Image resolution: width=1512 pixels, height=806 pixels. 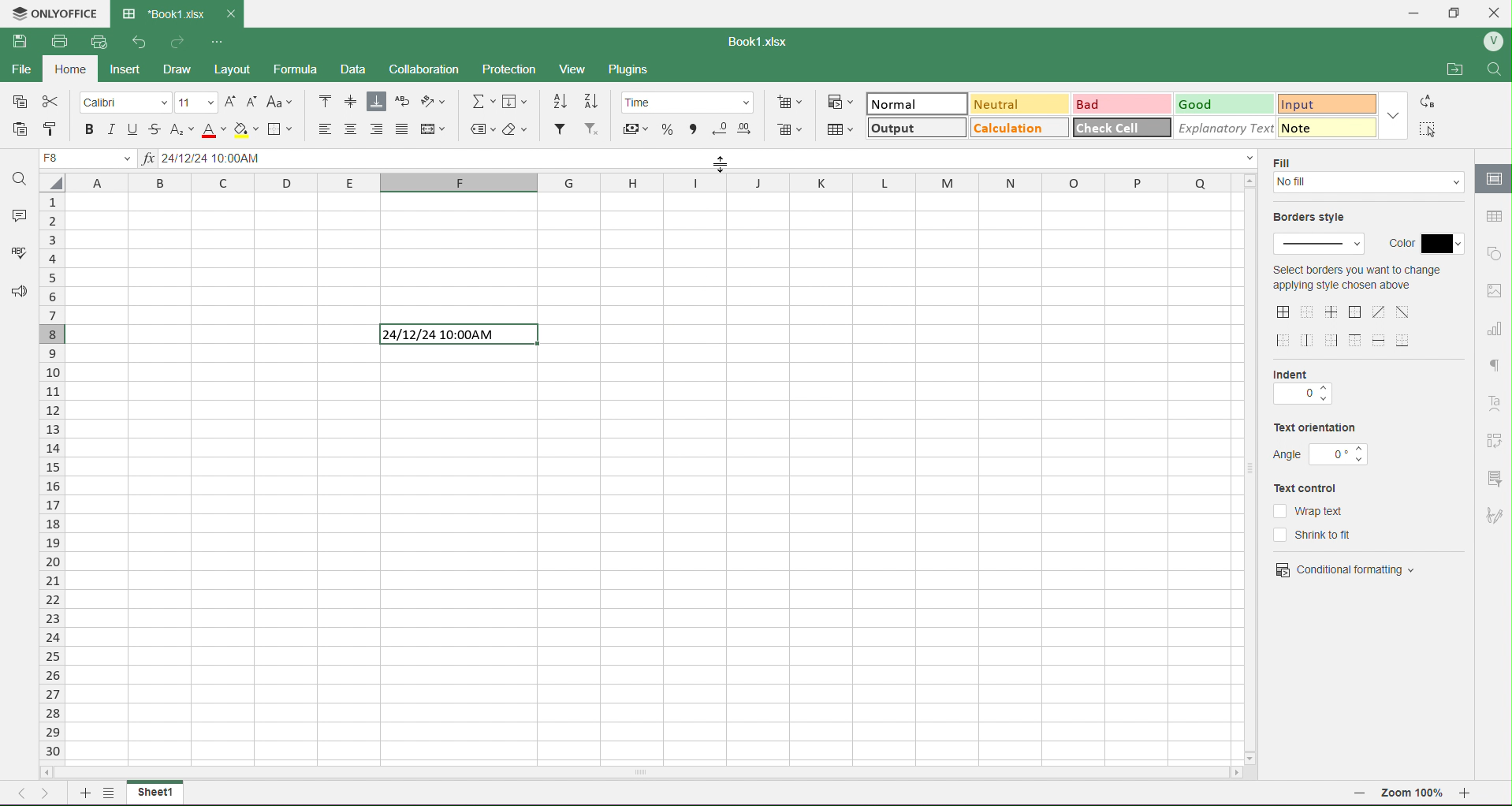 What do you see at coordinates (58, 40) in the screenshot?
I see `Print` at bounding box center [58, 40].